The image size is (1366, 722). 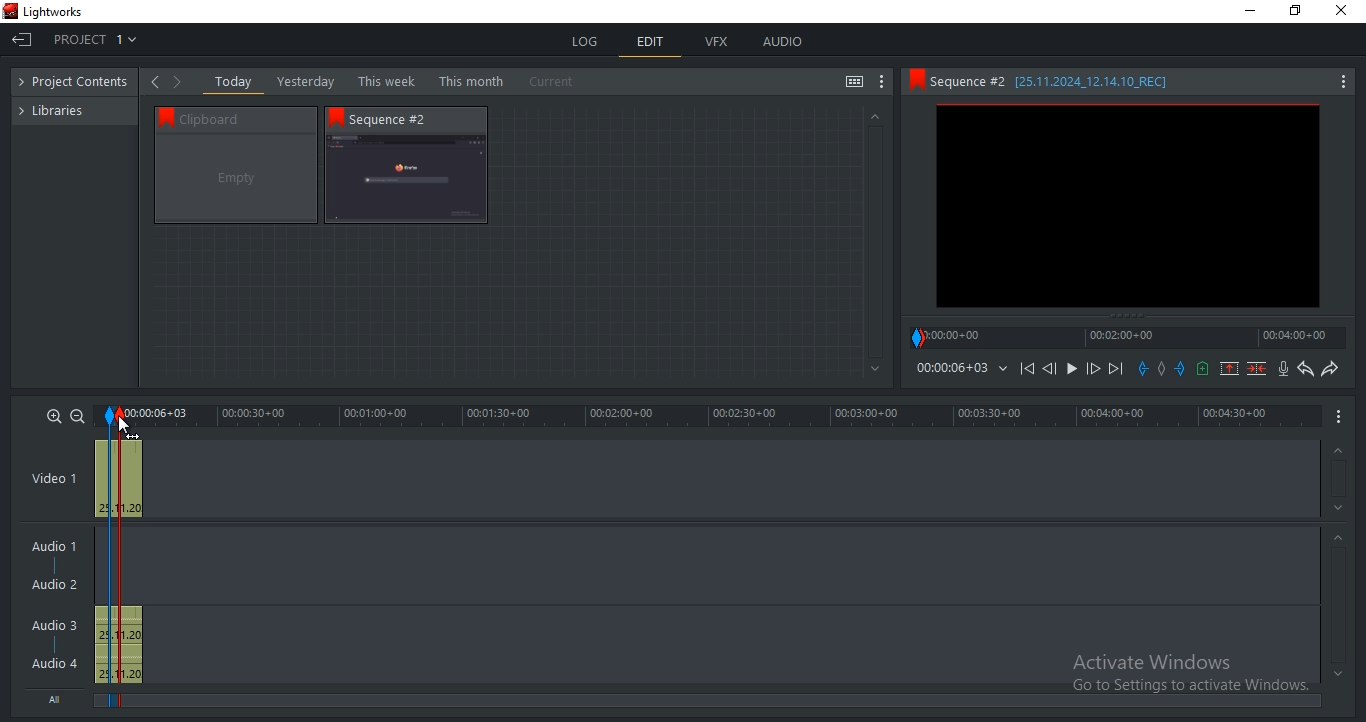 What do you see at coordinates (162, 116) in the screenshot?
I see `Bookmark icon` at bounding box center [162, 116].